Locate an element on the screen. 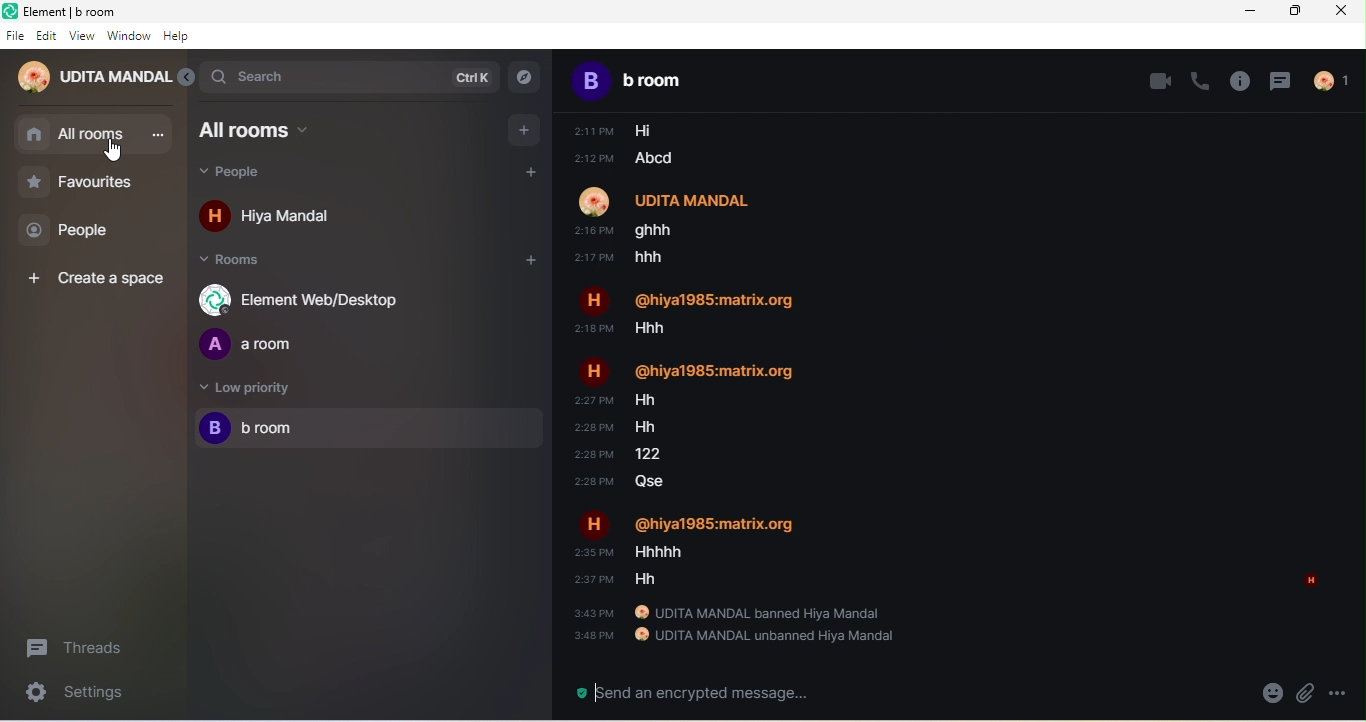 This screenshot has width=1366, height=722. view is located at coordinates (82, 36).